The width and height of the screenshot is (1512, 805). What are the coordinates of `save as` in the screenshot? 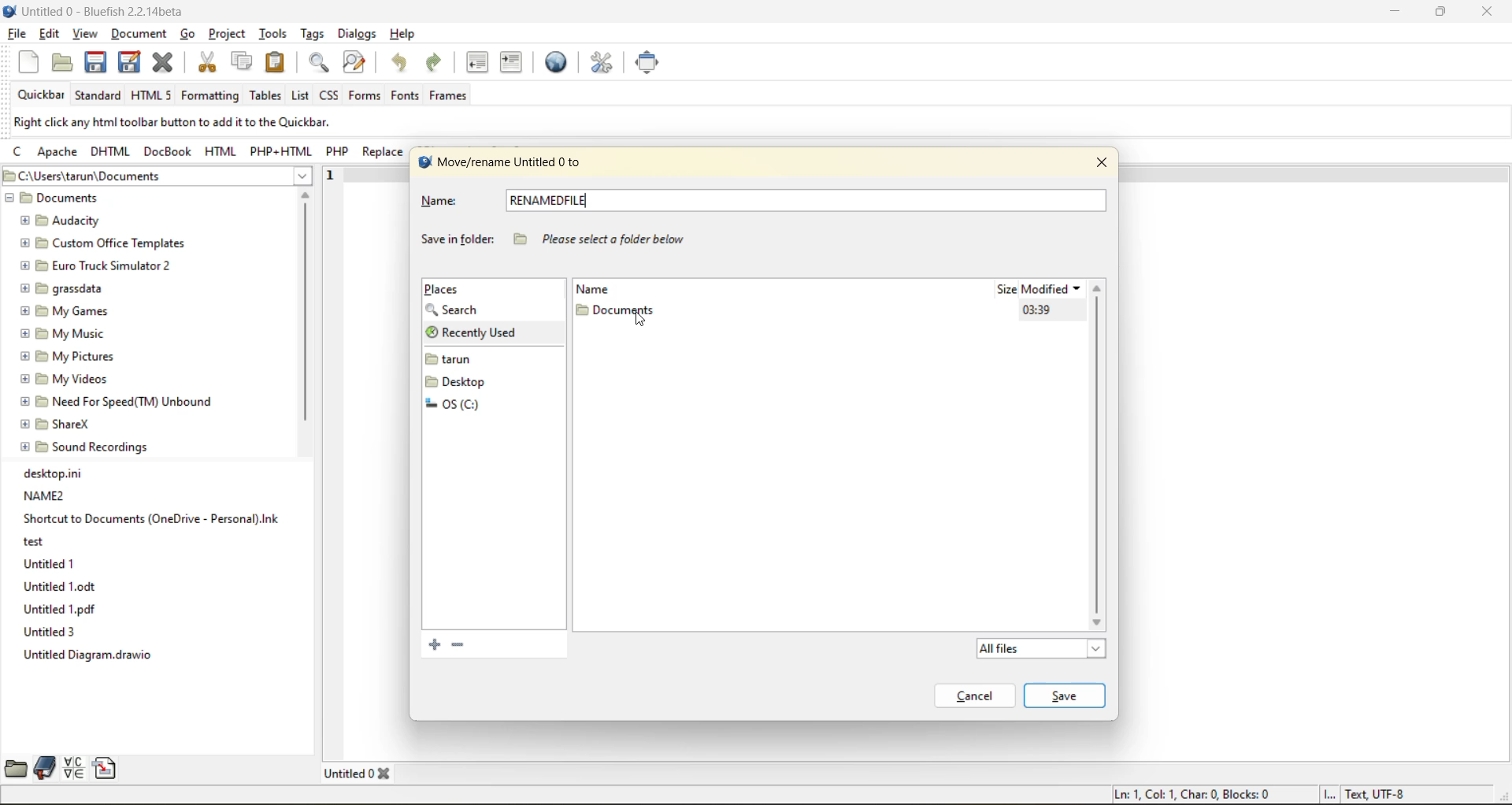 It's located at (125, 67).